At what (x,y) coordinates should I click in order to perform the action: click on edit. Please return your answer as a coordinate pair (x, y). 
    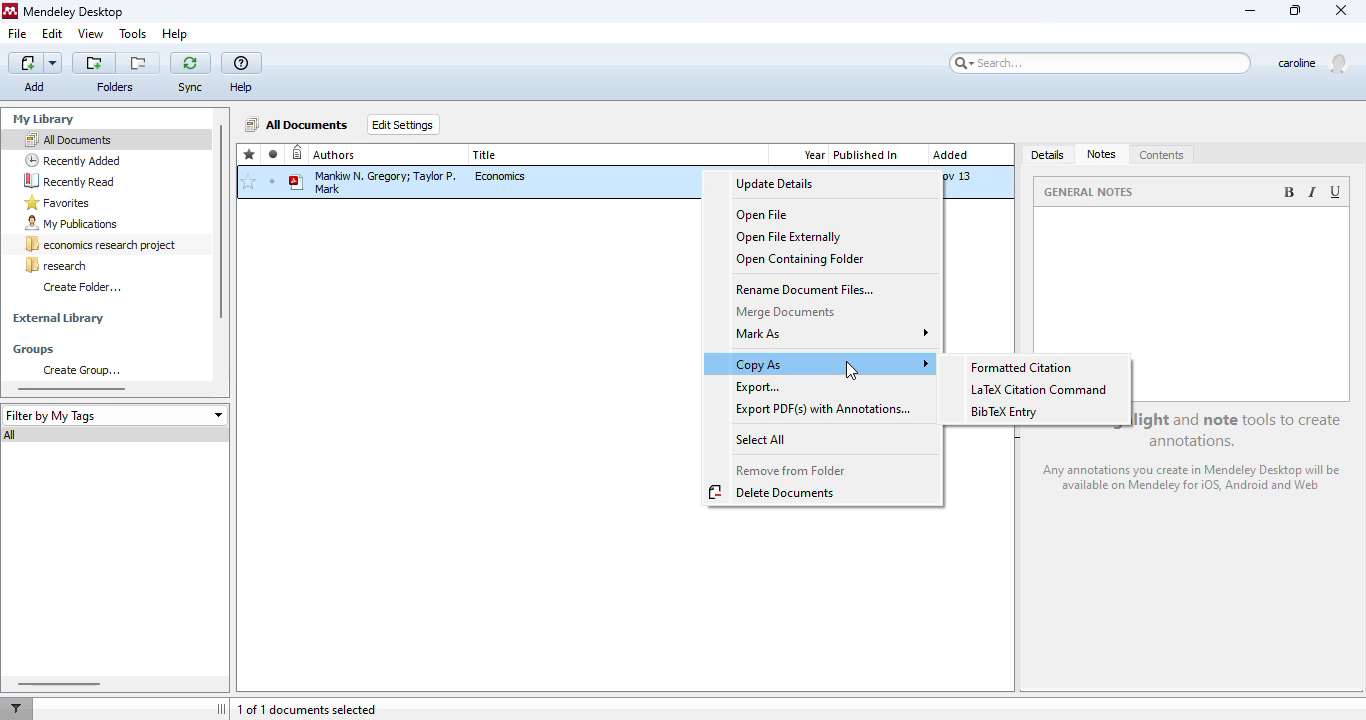
    Looking at the image, I should click on (52, 33).